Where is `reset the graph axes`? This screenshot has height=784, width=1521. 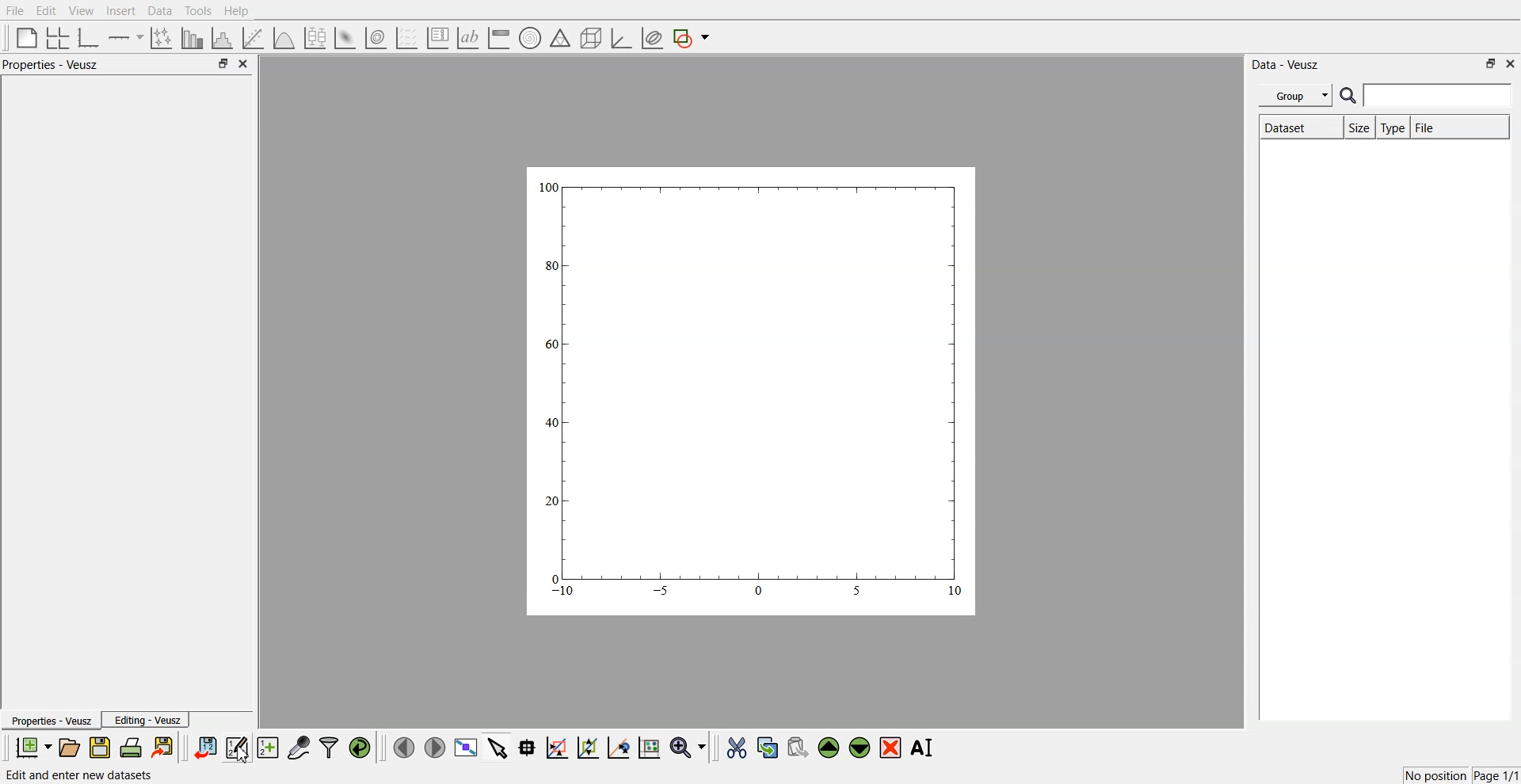 reset the graph axes is located at coordinates (649, 748).